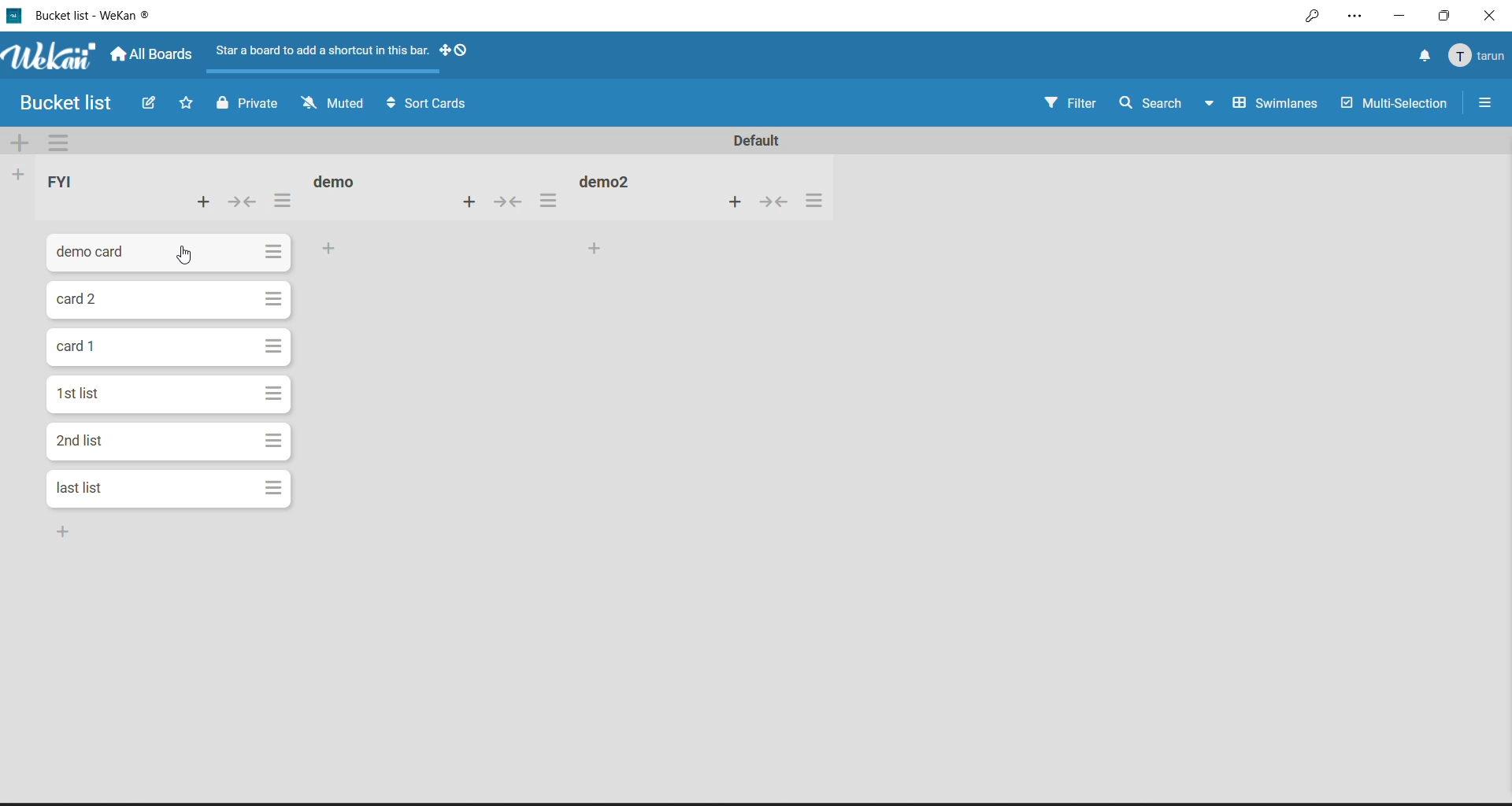 The image size is (1512, 806). Describe the element at coordinates (1069, 102) in the screenshot. I see `filter` at that location.